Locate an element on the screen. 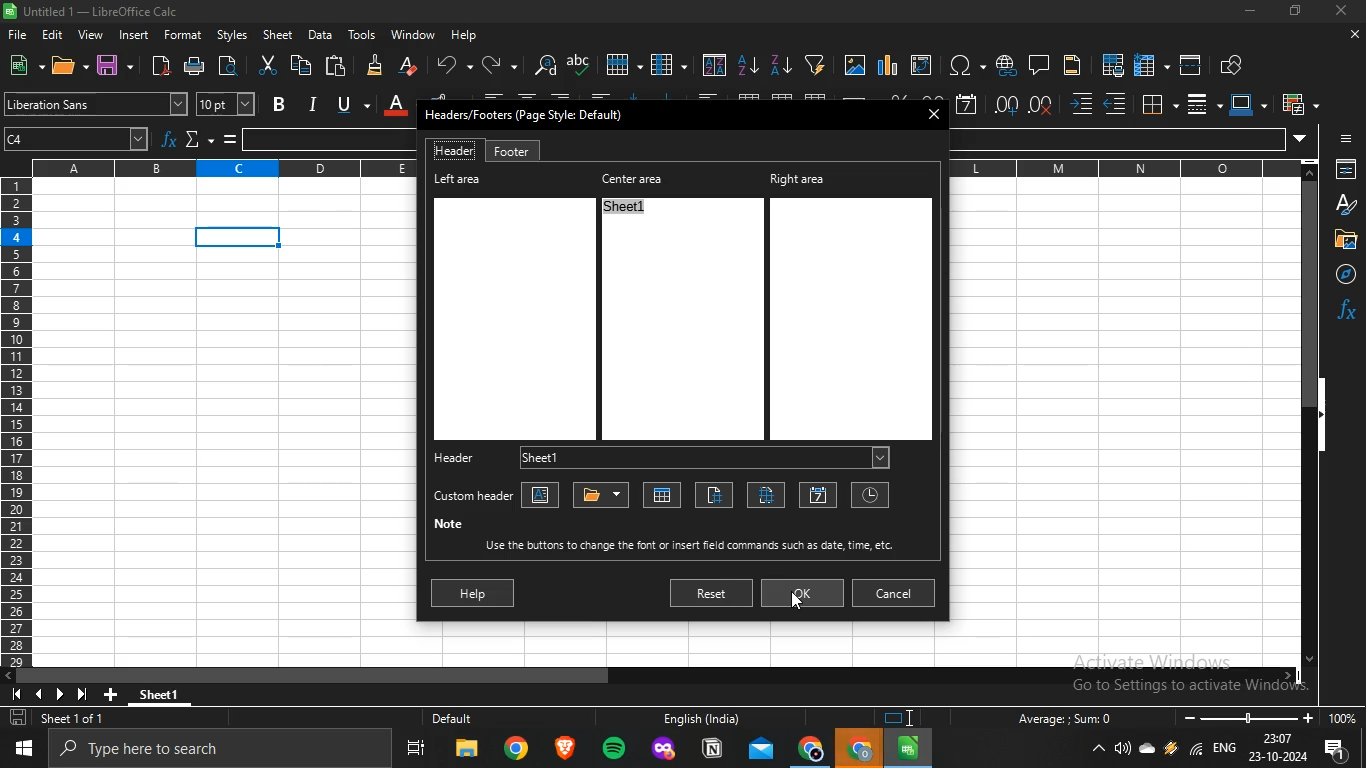  custom header is located at coordinates (471, 497).